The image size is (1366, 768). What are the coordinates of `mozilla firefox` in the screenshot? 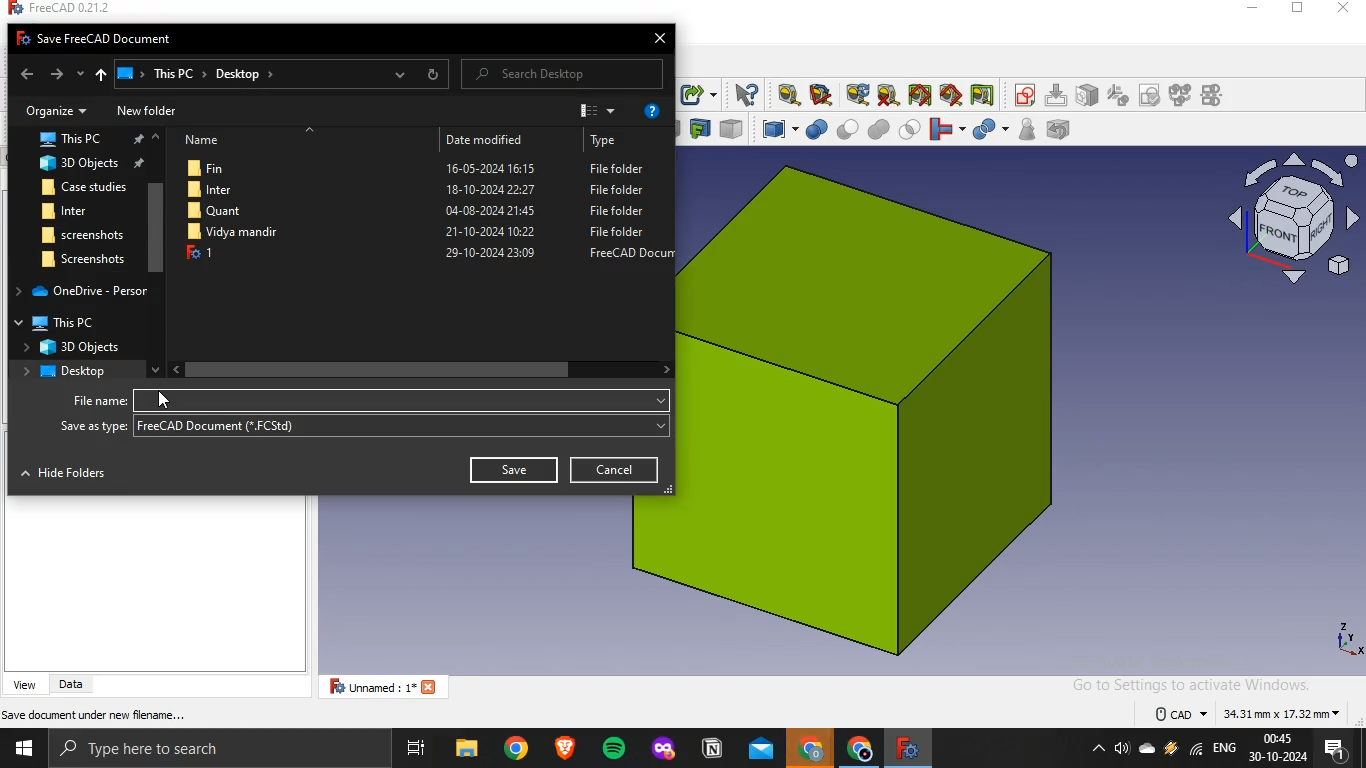 It's located at (663, 750).